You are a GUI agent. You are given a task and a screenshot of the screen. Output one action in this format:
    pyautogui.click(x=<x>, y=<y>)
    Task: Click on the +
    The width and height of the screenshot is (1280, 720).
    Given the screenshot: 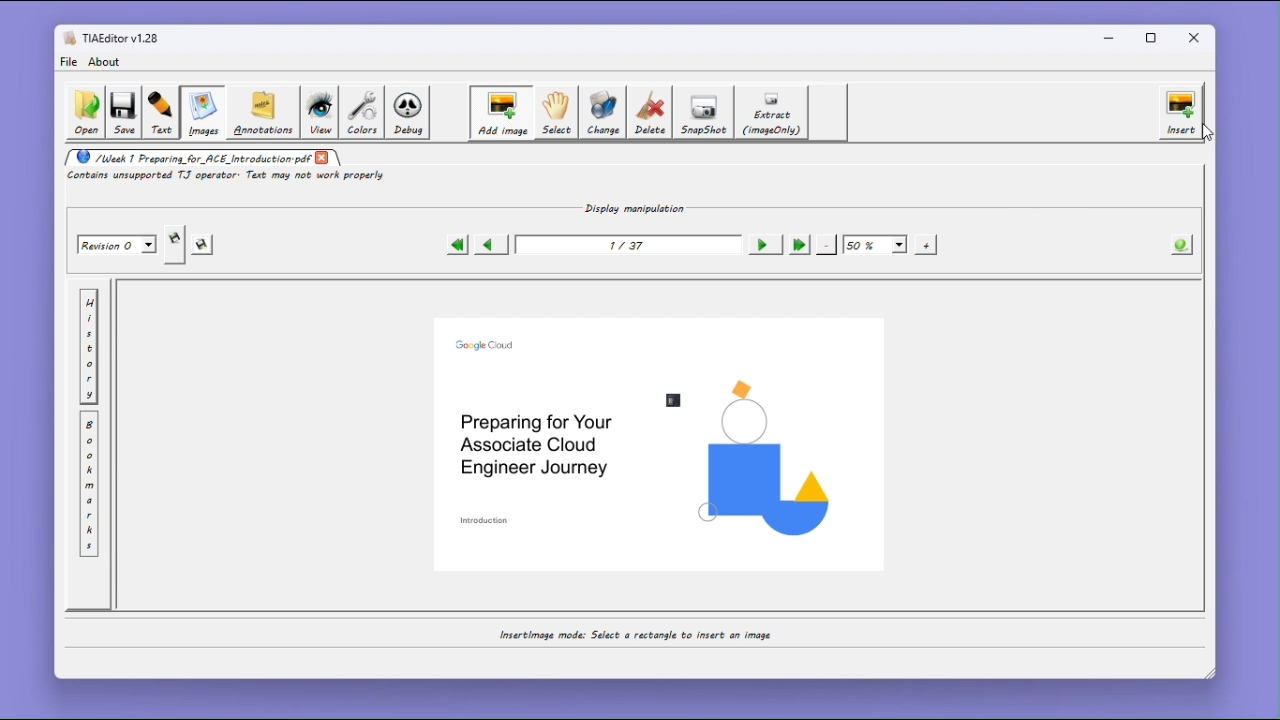 What is the action you would take?
    pyautogui.click(x=927, y=244)
    